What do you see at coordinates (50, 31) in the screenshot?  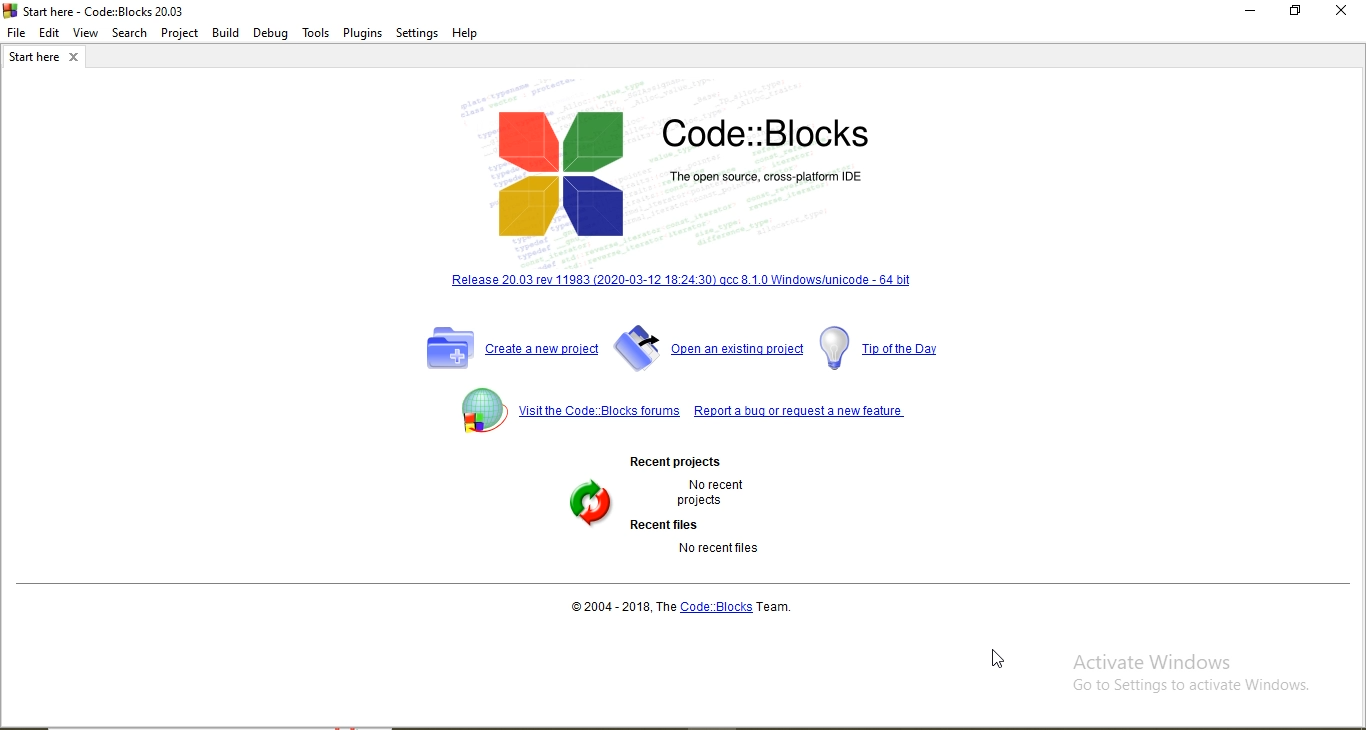 I see `Edit ` at bounding box center [50, 31].